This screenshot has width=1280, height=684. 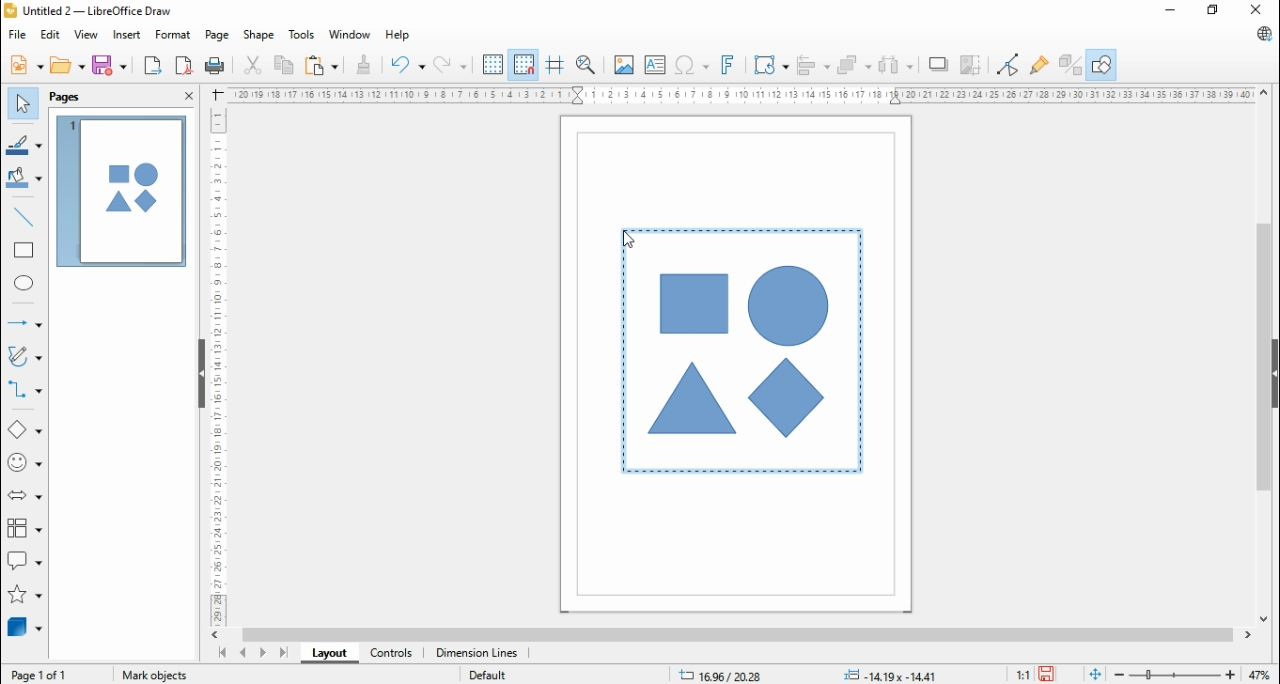 I want to click on snap to grids, so click(x=523, y=64).